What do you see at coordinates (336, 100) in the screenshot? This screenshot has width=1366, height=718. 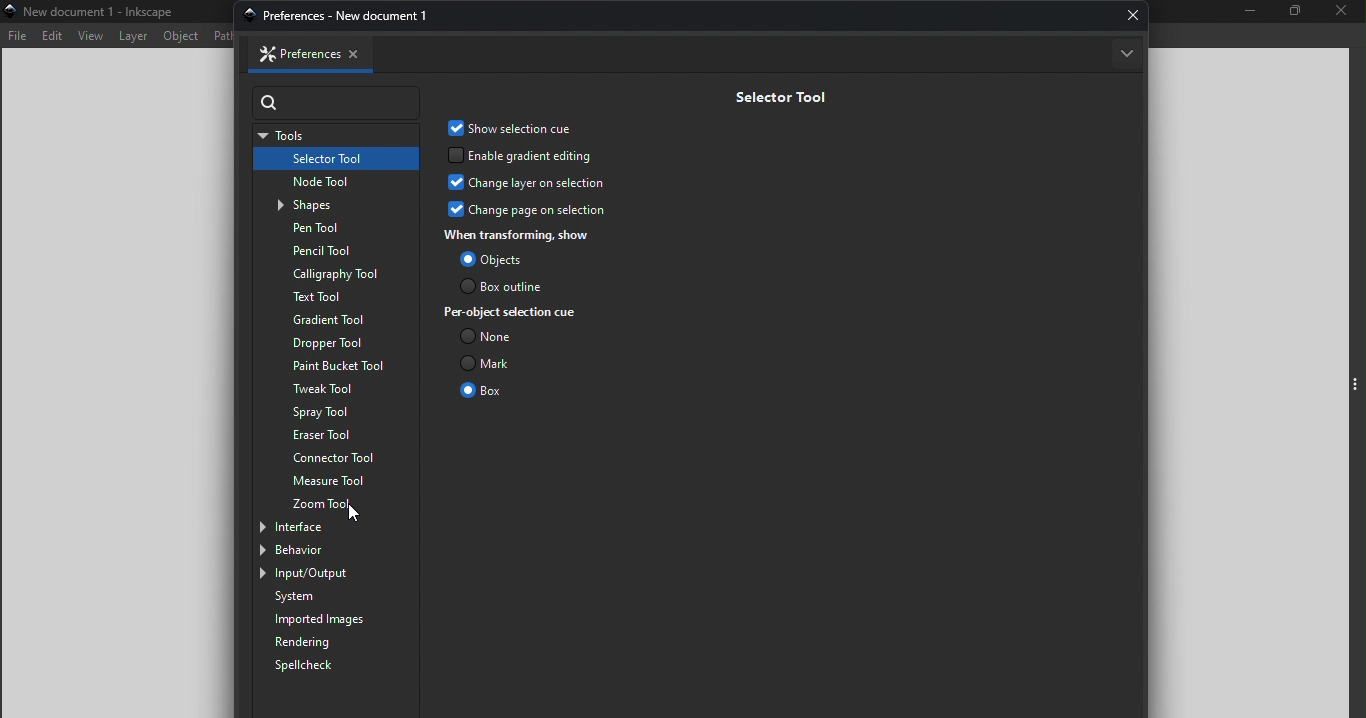 I see `Search bar` at bounding box center [336, 100].